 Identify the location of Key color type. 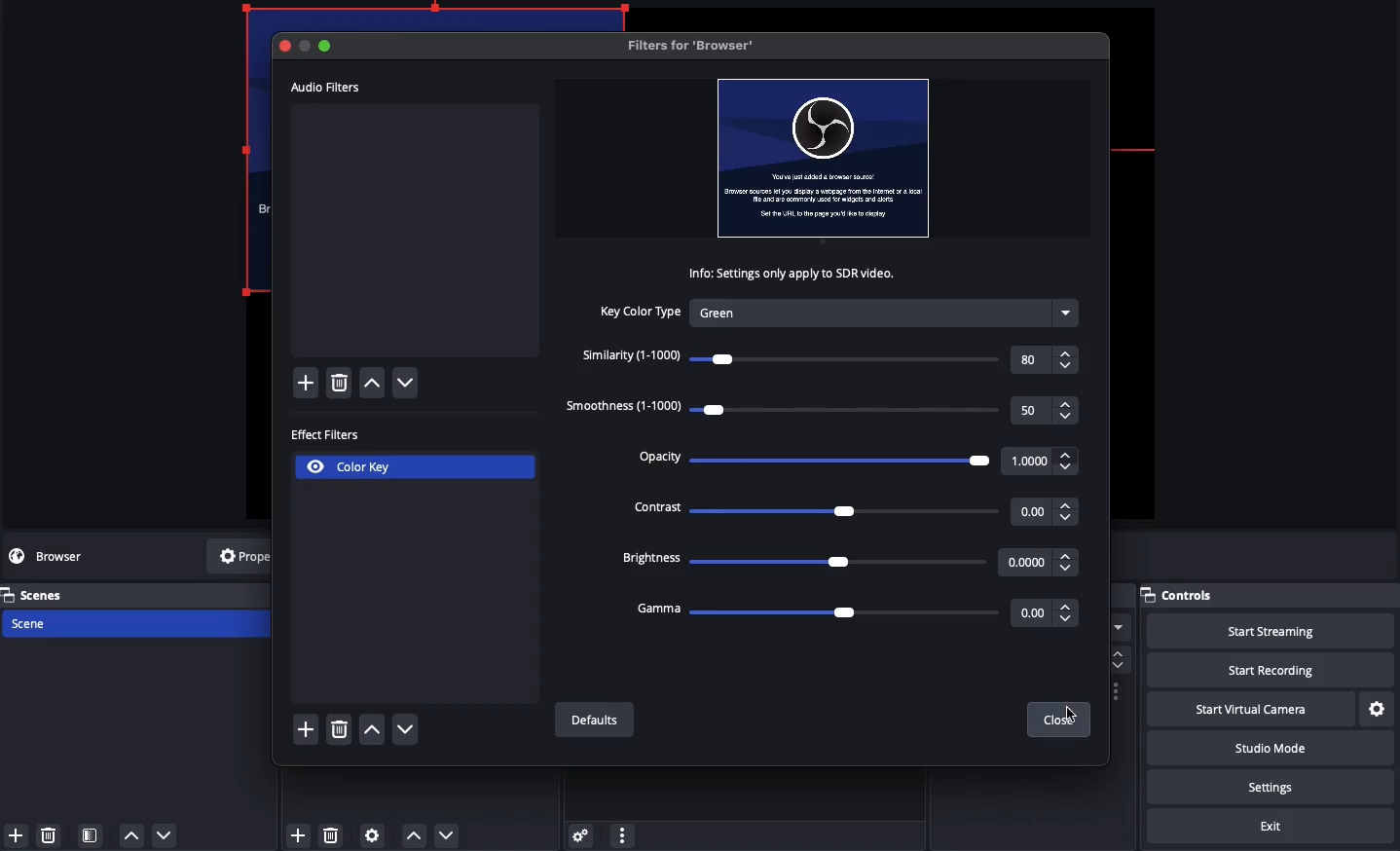
(642, 312).